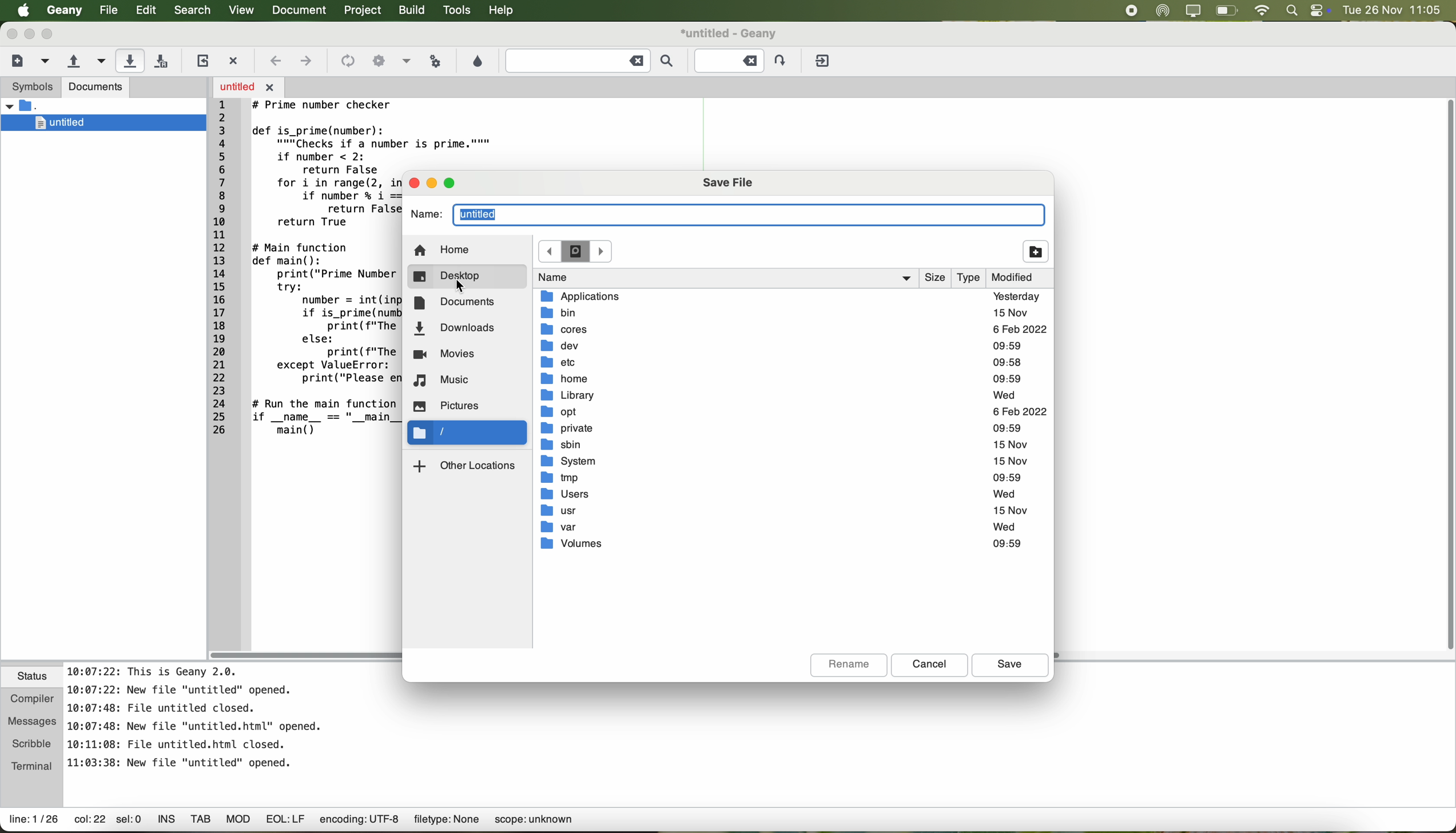  What do you see at coordinates (106, 10) in the screenshot?
I see `file` at bounding box center [106, 10].